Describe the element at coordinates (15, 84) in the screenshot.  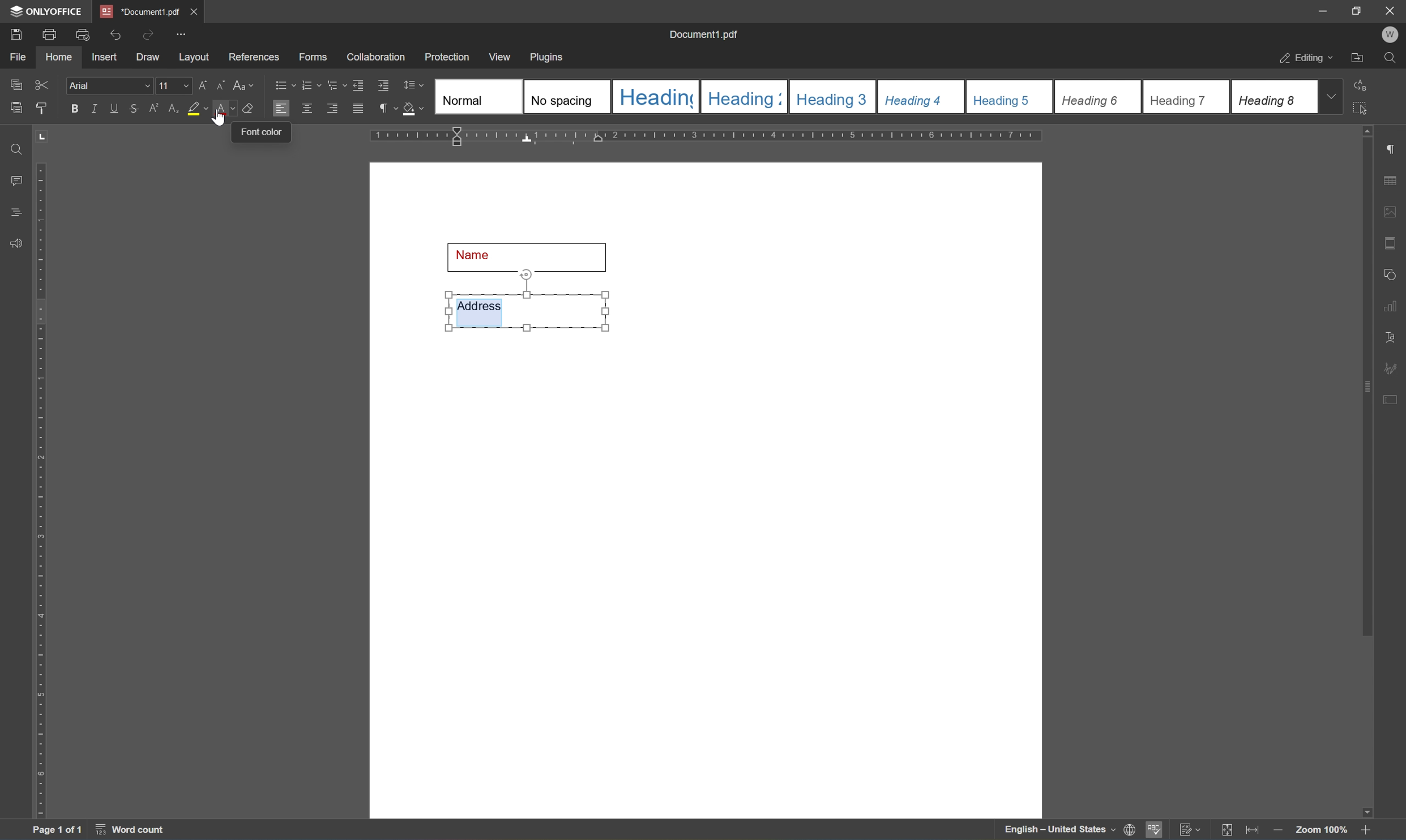
I see `copy` at that location.